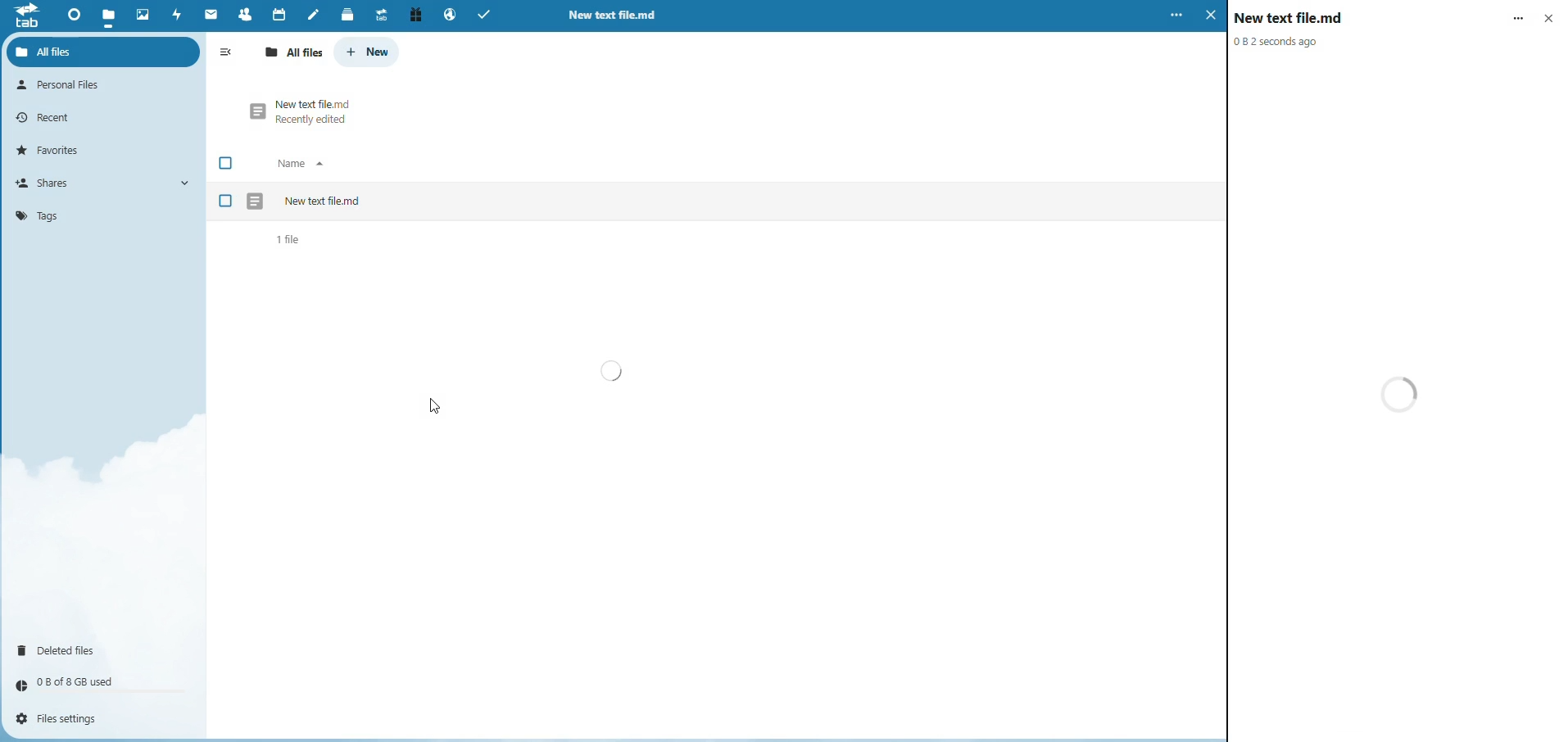 This screenshot has height=742, width=1568. What do you see at coordinates (489, 16) in the screenshot?
I see `Tasks` at bounding box center [489, 16].